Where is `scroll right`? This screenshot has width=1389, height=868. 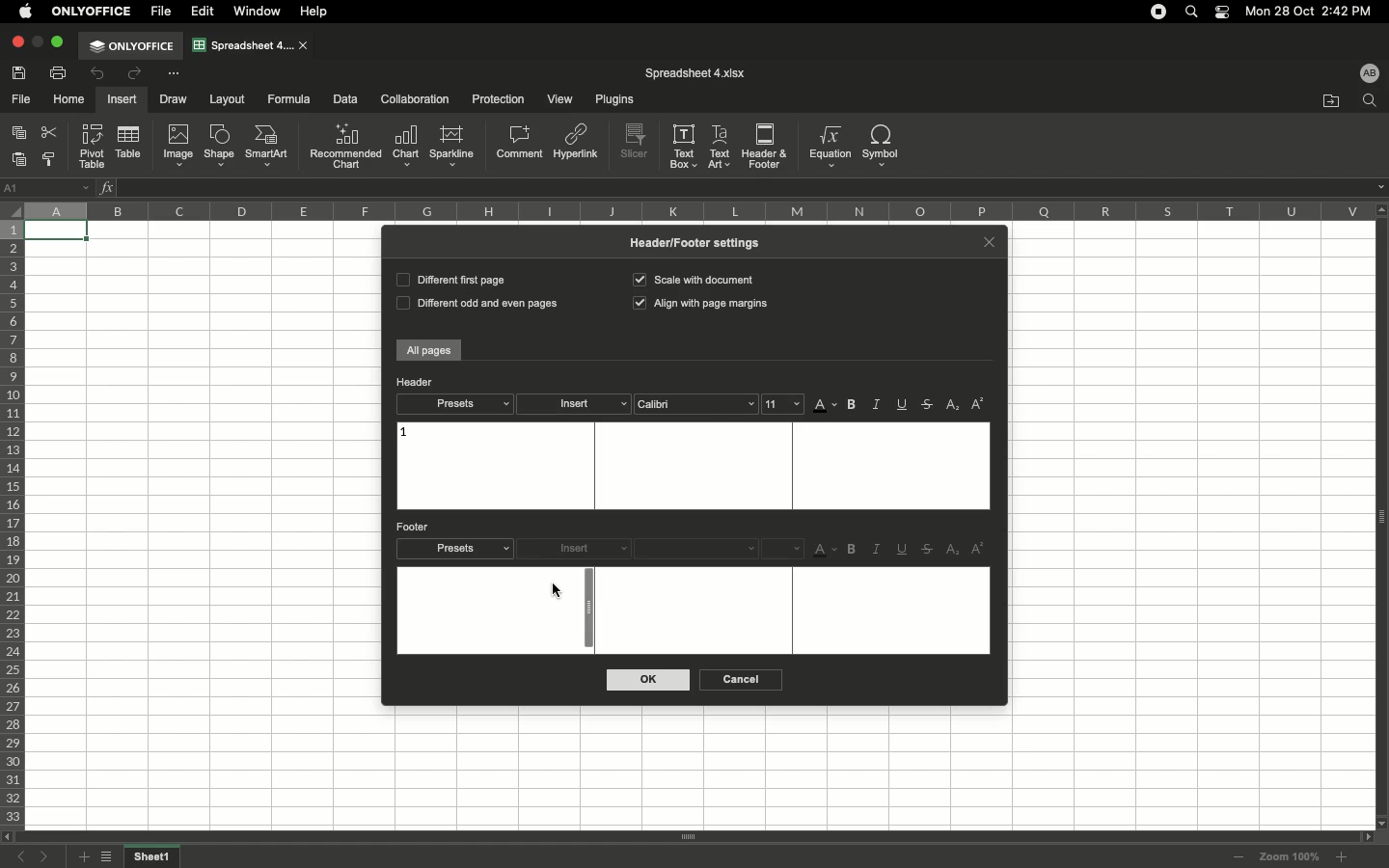 scroll right is located at coordinates (1364, 837).